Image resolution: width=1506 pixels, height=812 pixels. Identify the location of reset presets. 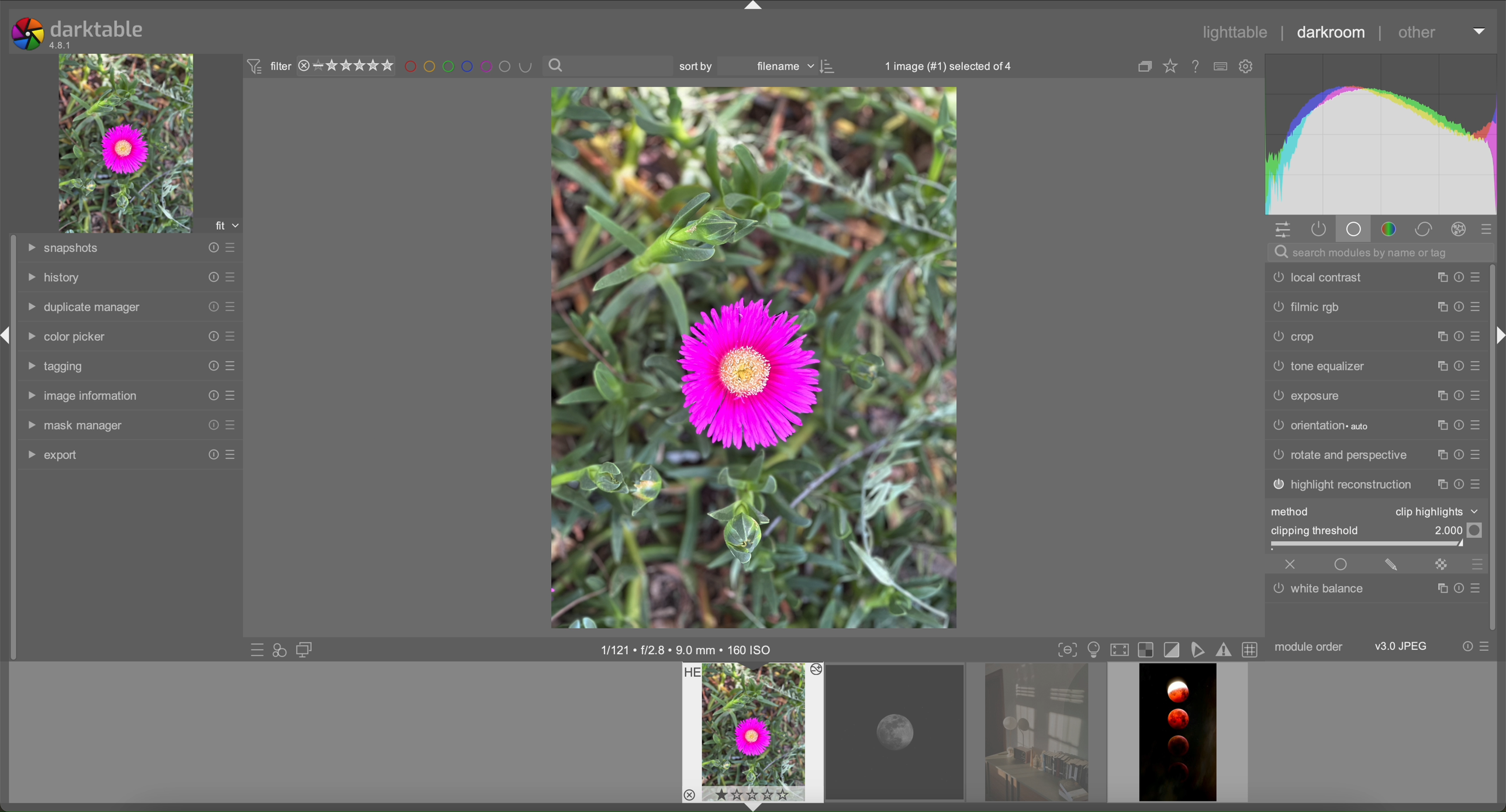
(1456, 588).